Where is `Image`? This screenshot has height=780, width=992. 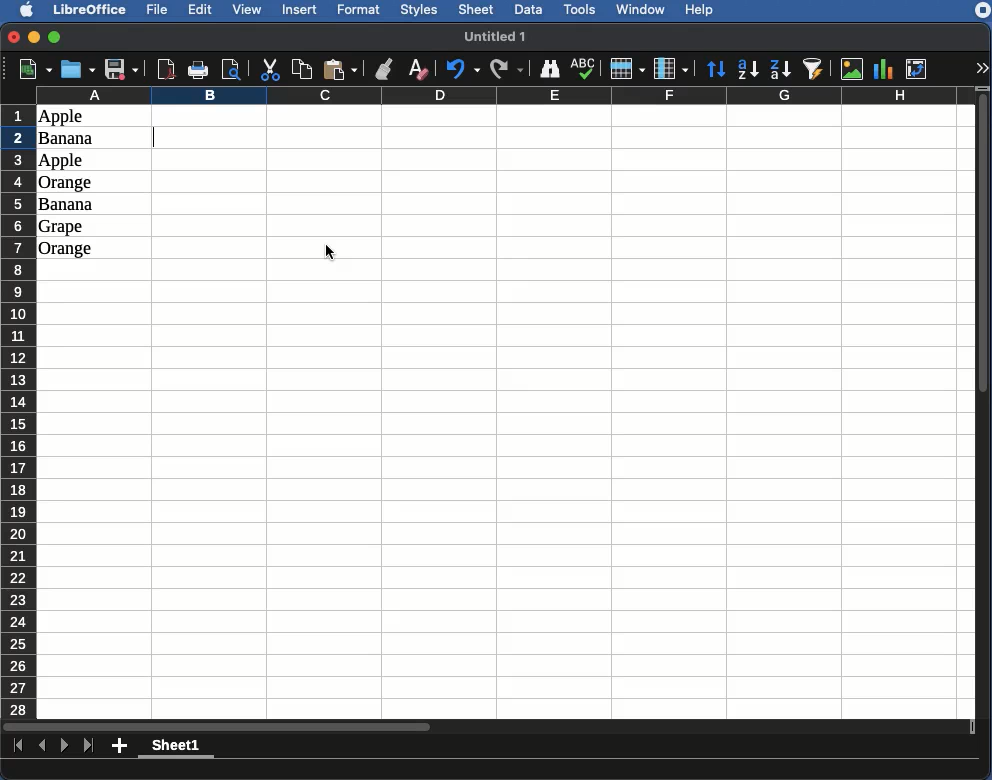
Image is located at coordinates (852, 68).